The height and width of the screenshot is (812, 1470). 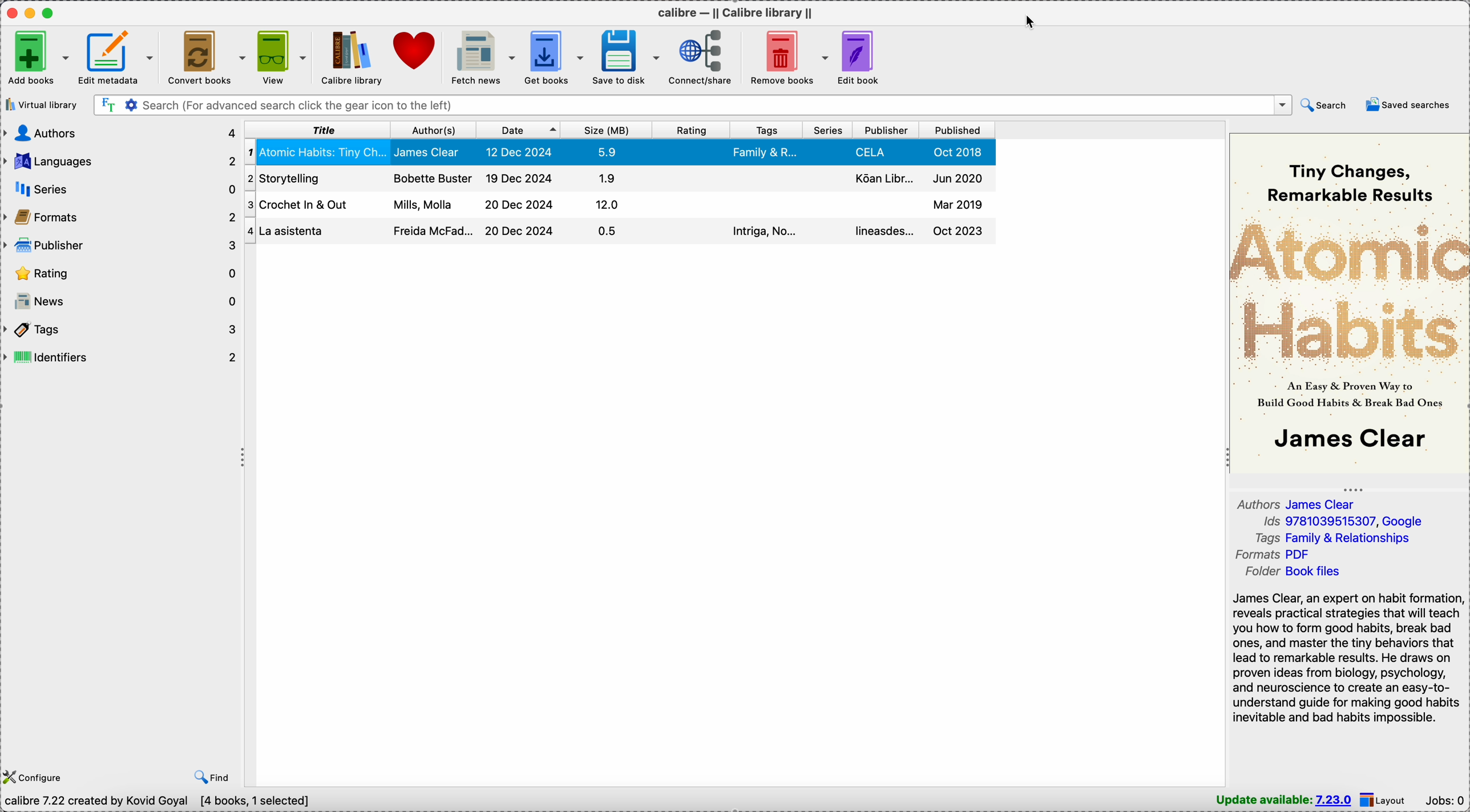 What do you see at coordinates (609, 130) in the screenshot?
I see `size` at bounding box center [609, 130].